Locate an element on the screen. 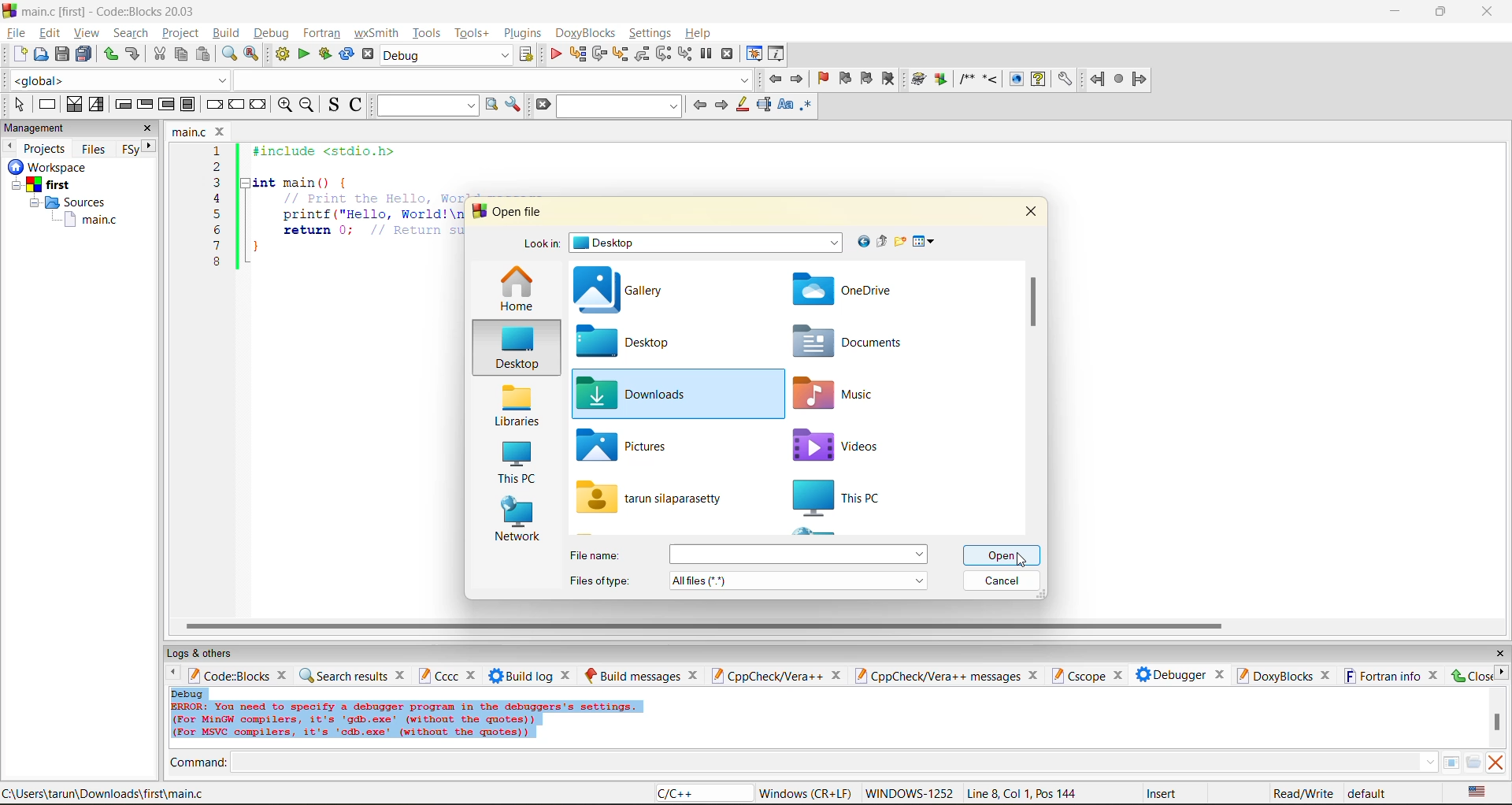 This screenshot has width=1512, height=805. create new folder is located at coordinates (902, 241).